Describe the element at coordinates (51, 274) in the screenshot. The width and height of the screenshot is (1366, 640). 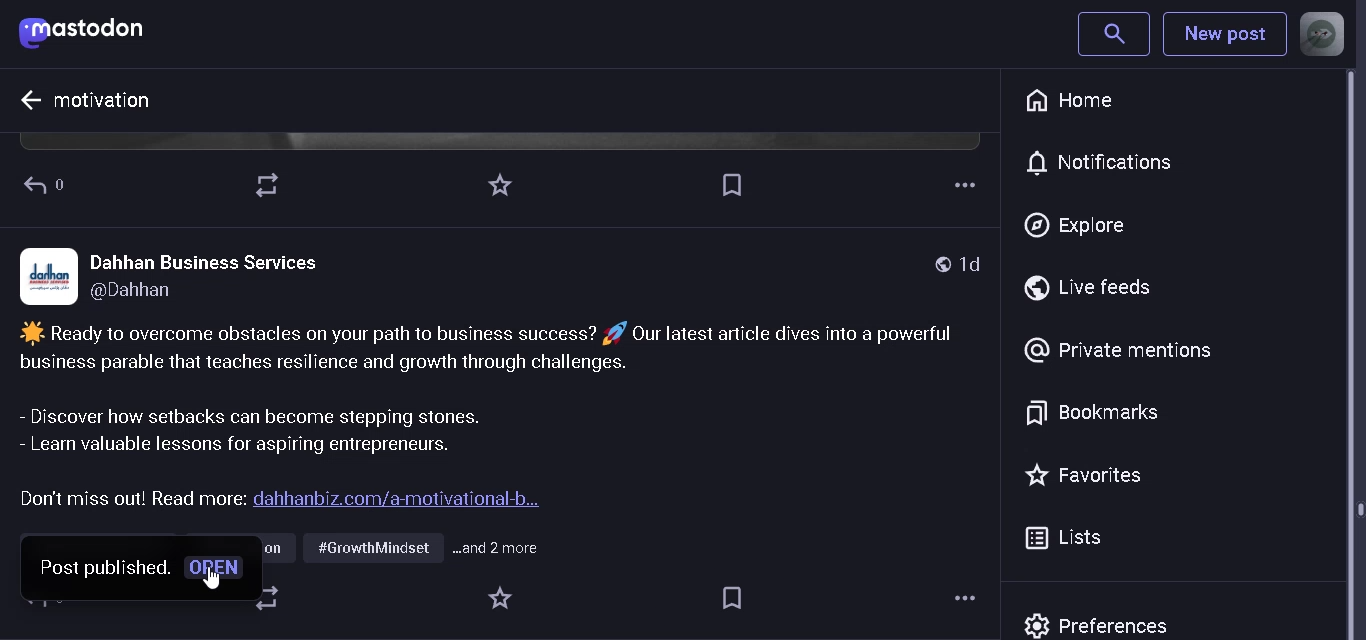
I see `logo` at that location.